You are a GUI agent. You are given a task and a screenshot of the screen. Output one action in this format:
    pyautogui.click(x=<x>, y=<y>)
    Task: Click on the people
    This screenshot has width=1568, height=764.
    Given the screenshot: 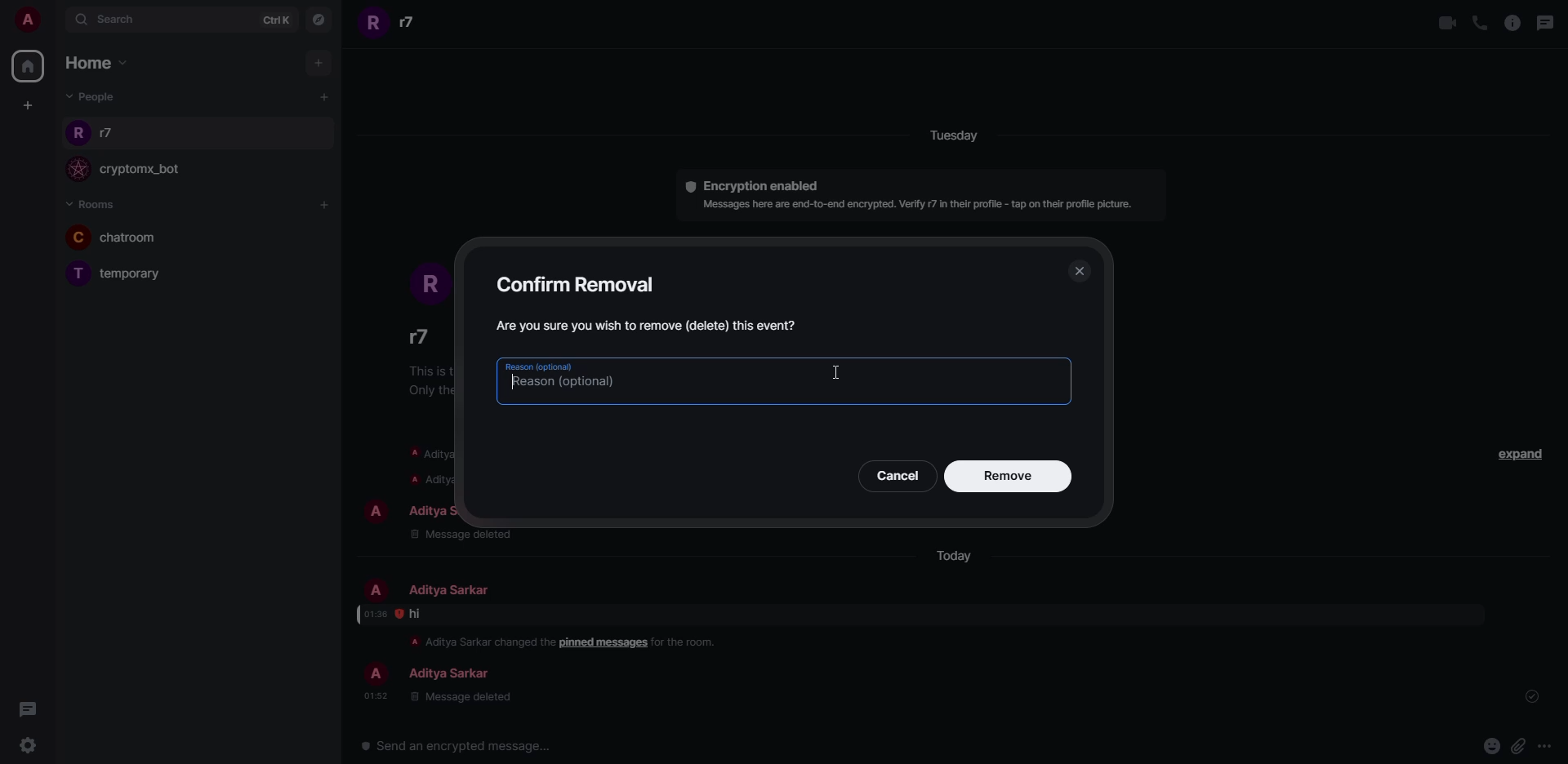 What is the action you would take?
    pyautogui.click(x=448, y=675)
    